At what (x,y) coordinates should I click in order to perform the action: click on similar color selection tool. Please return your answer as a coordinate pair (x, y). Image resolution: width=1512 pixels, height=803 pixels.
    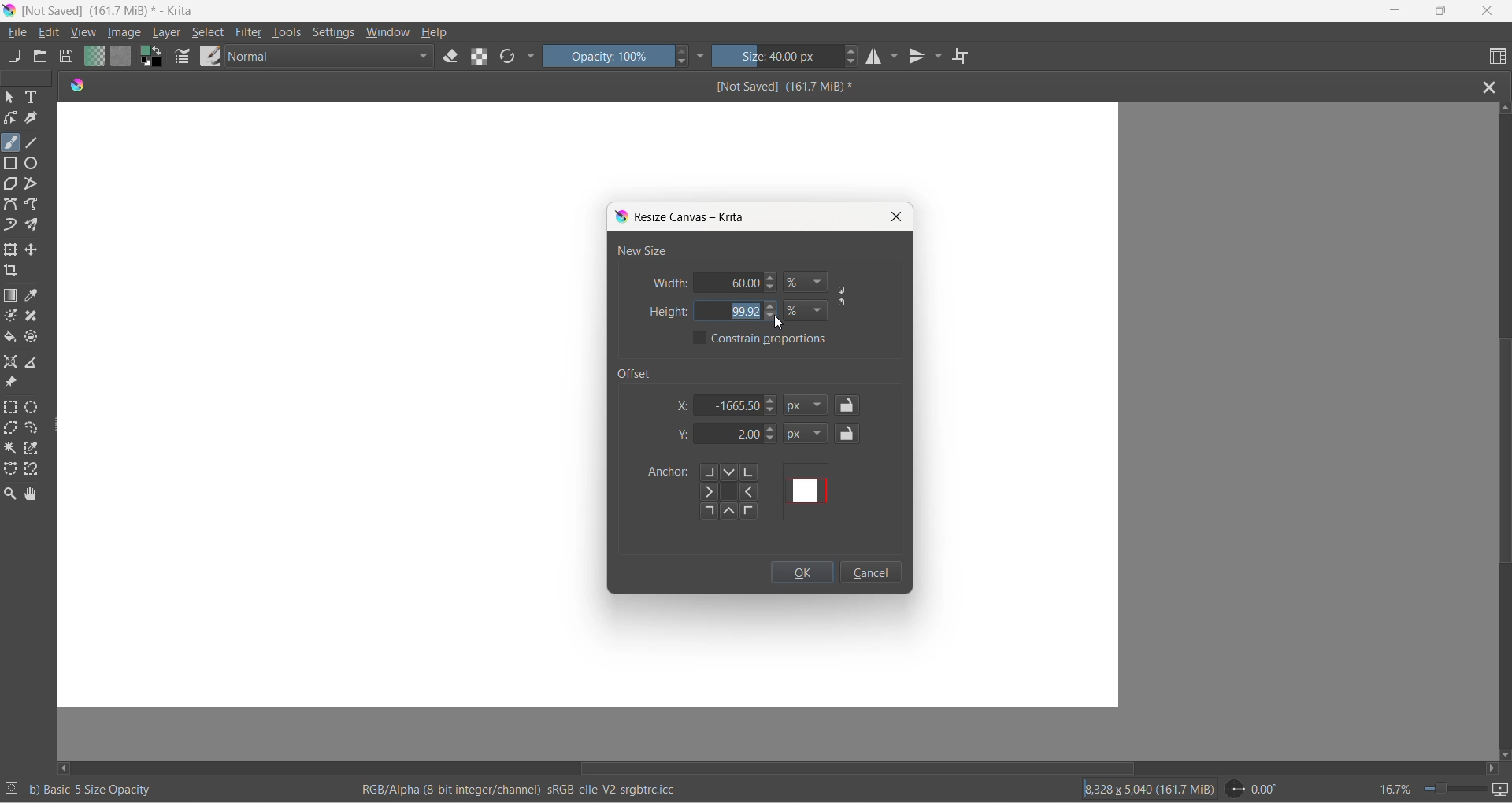
    Looking at the image, I should click on (34, 451).